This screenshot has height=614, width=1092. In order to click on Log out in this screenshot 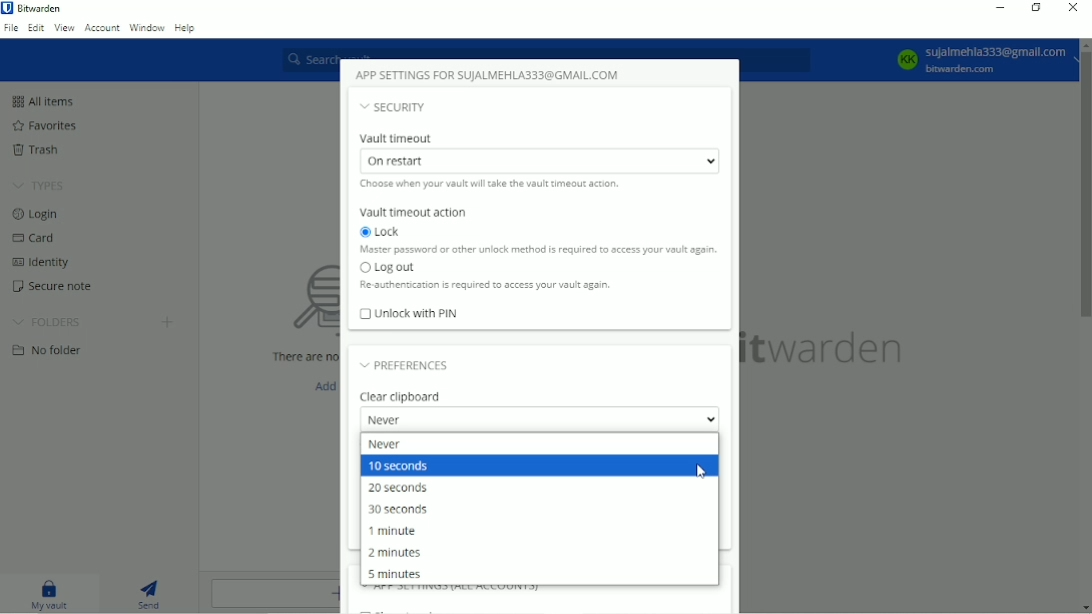, I will do `click(387, 268)`.